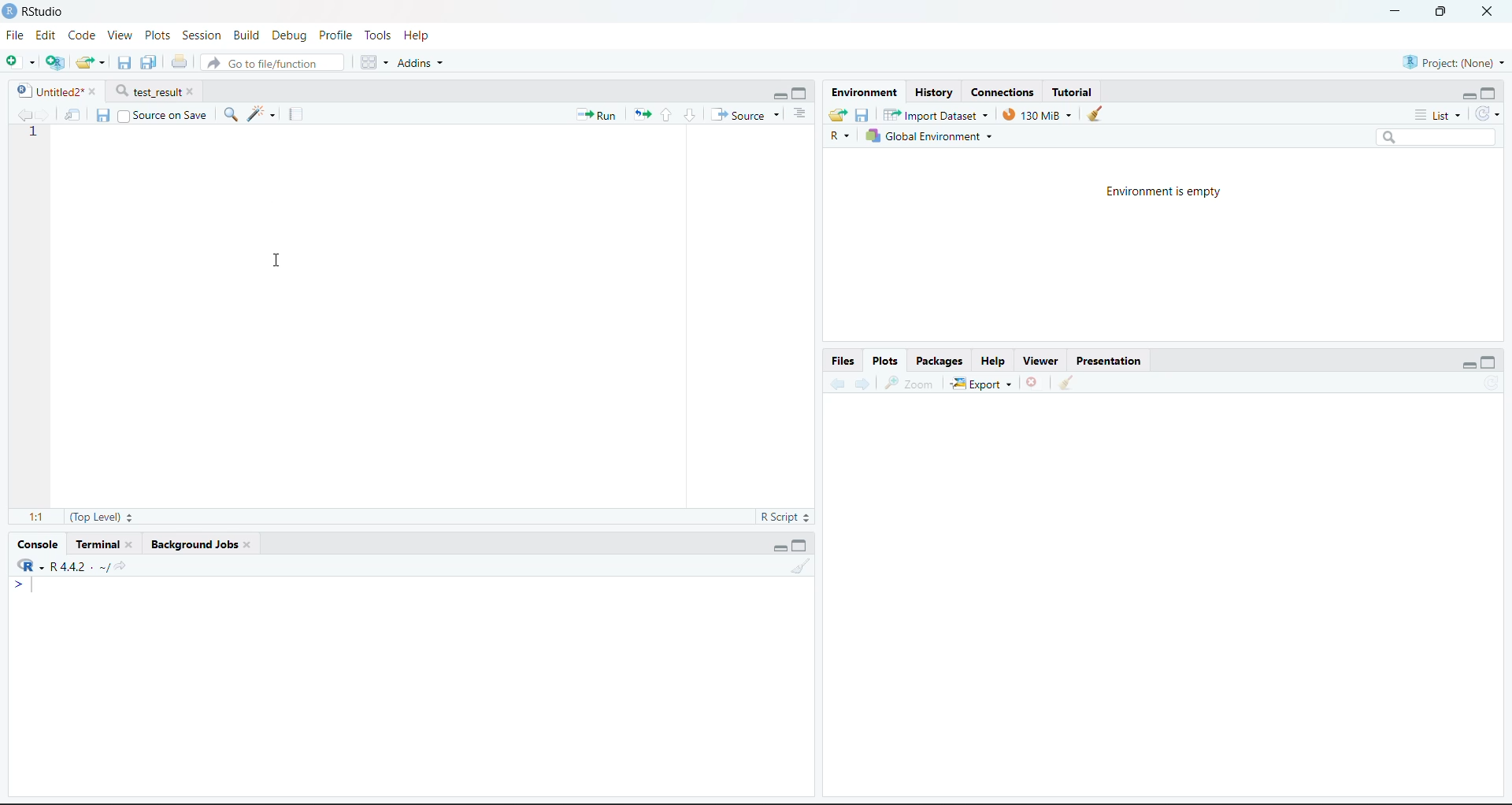  Describe the element at coordinates (936, 114) in the screenshot. I see `Import Dataset` at that location.